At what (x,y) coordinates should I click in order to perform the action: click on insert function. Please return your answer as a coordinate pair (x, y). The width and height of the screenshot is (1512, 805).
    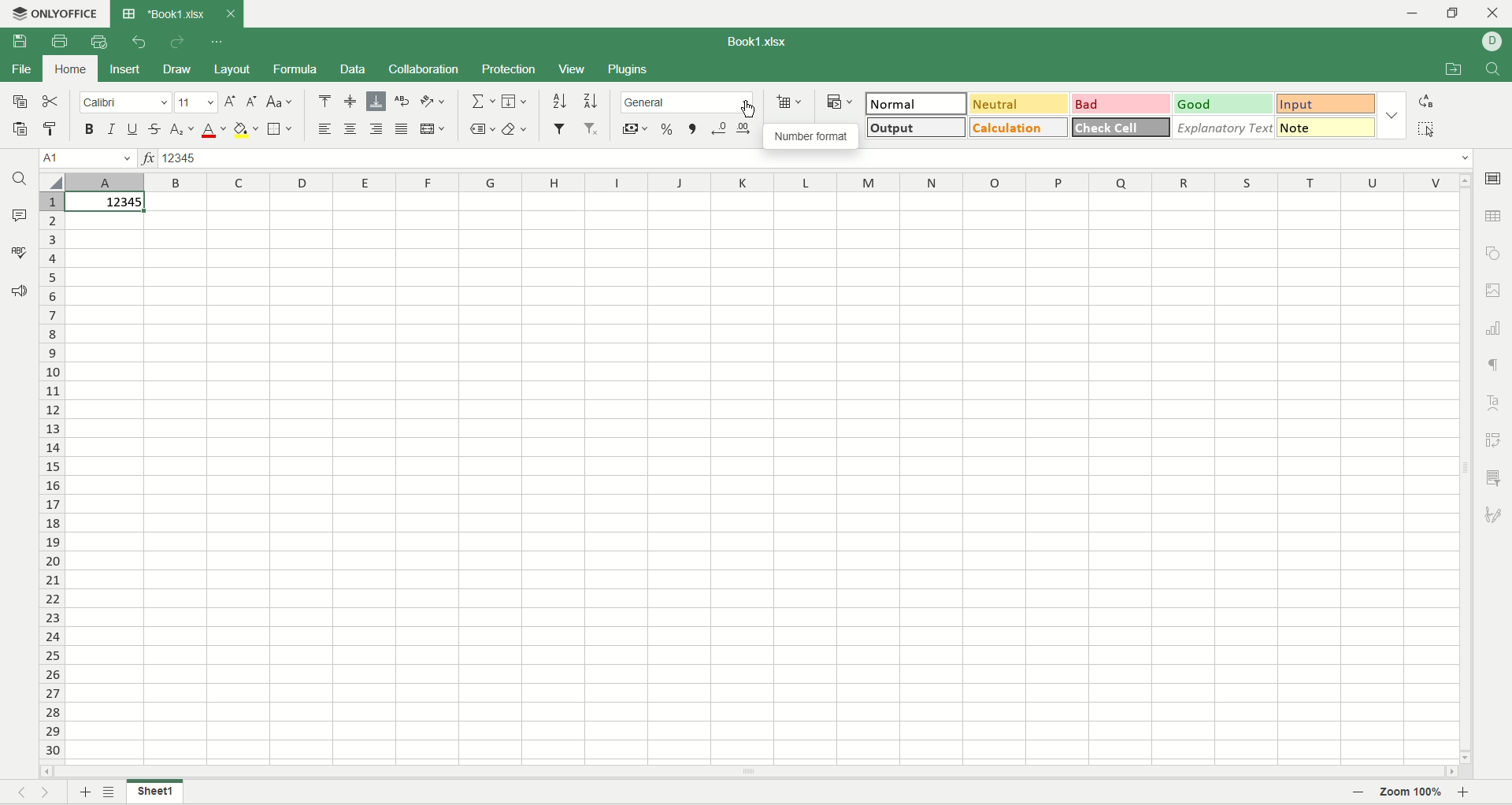
    Looking at the image, I should click on (146, 158).